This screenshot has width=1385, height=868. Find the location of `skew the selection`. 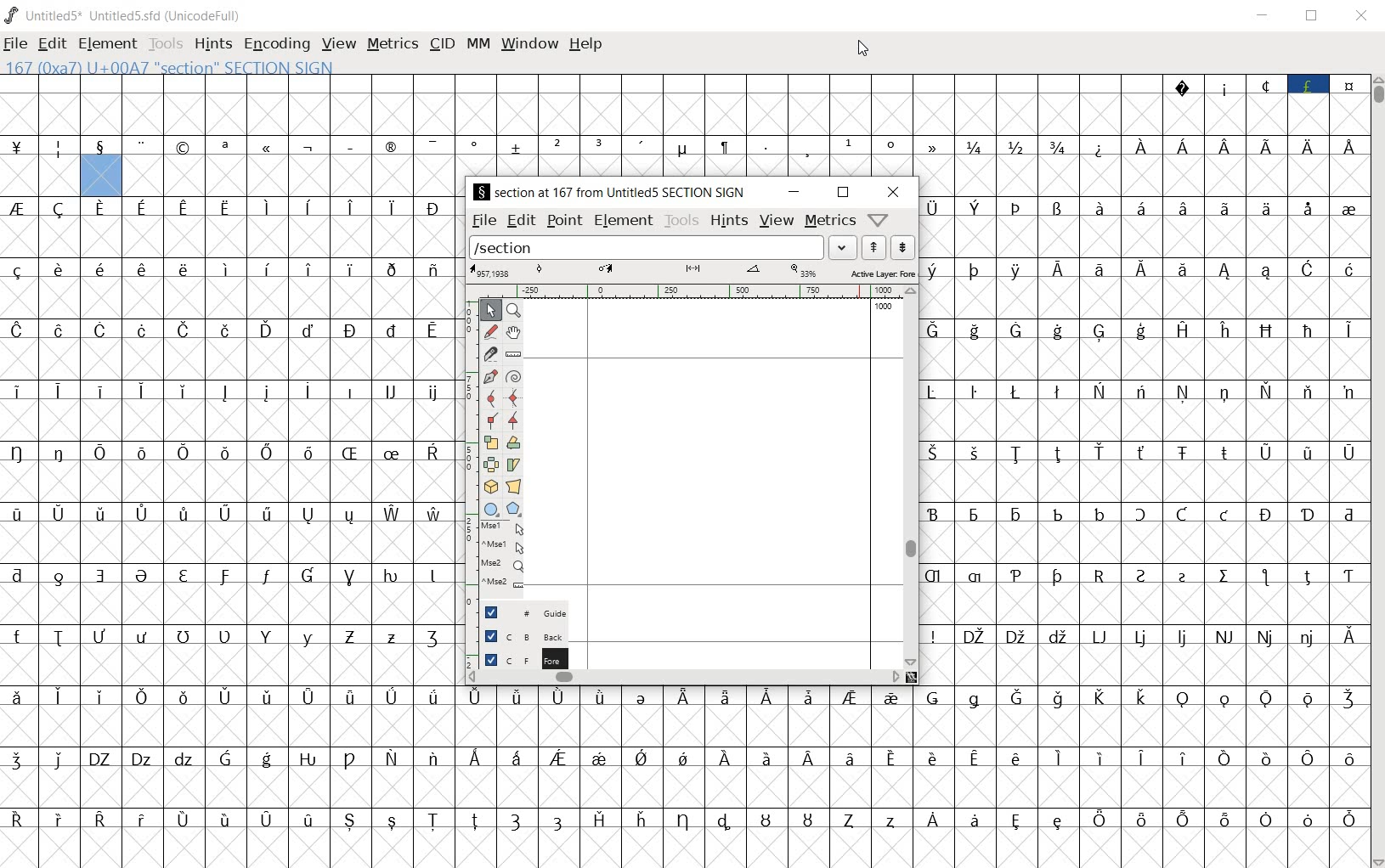

skew the selection is located at coordinates (513, 464).